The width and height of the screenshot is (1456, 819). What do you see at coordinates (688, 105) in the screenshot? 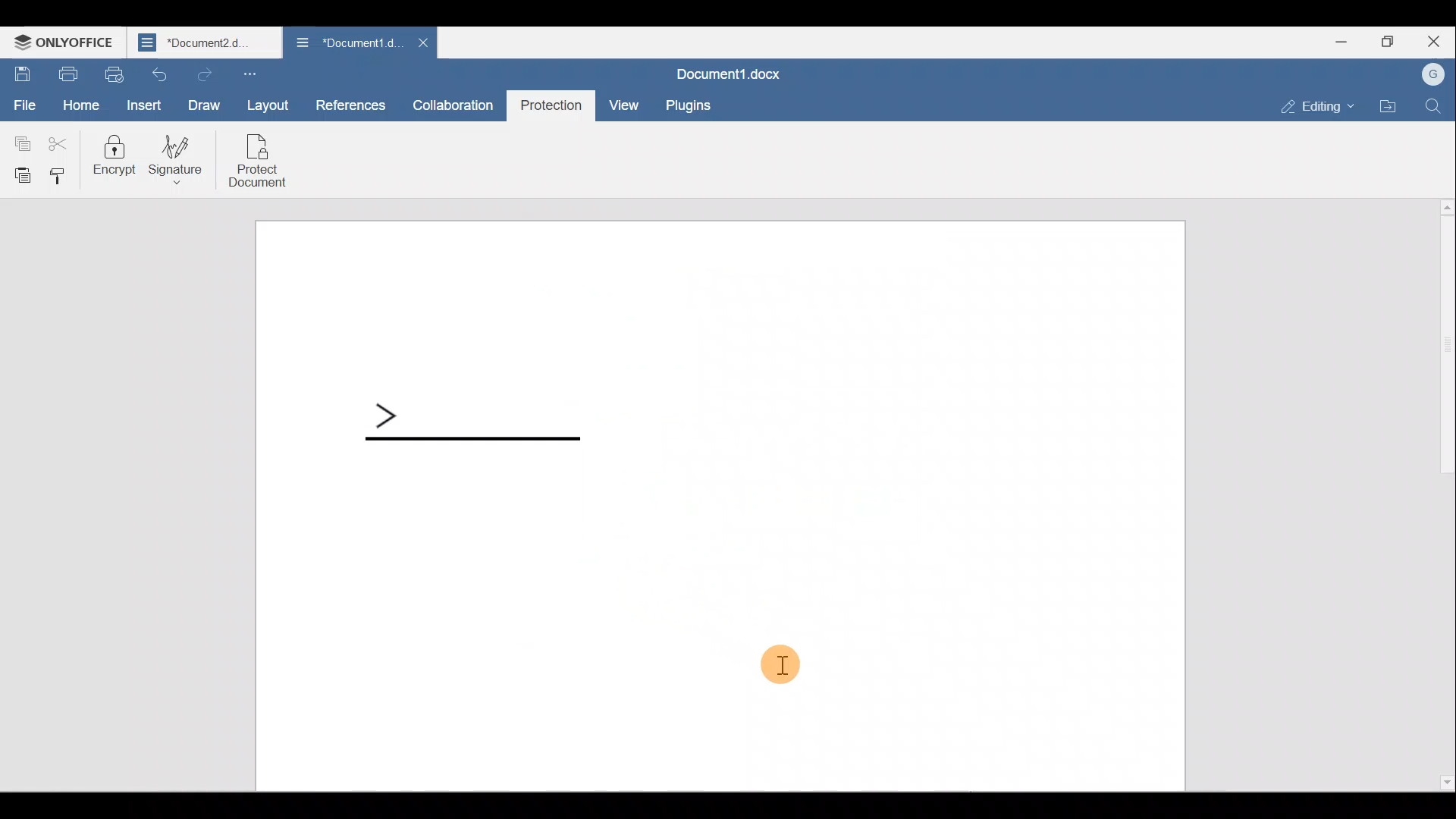
I see `Plugins` at bounding box center [688, 105].